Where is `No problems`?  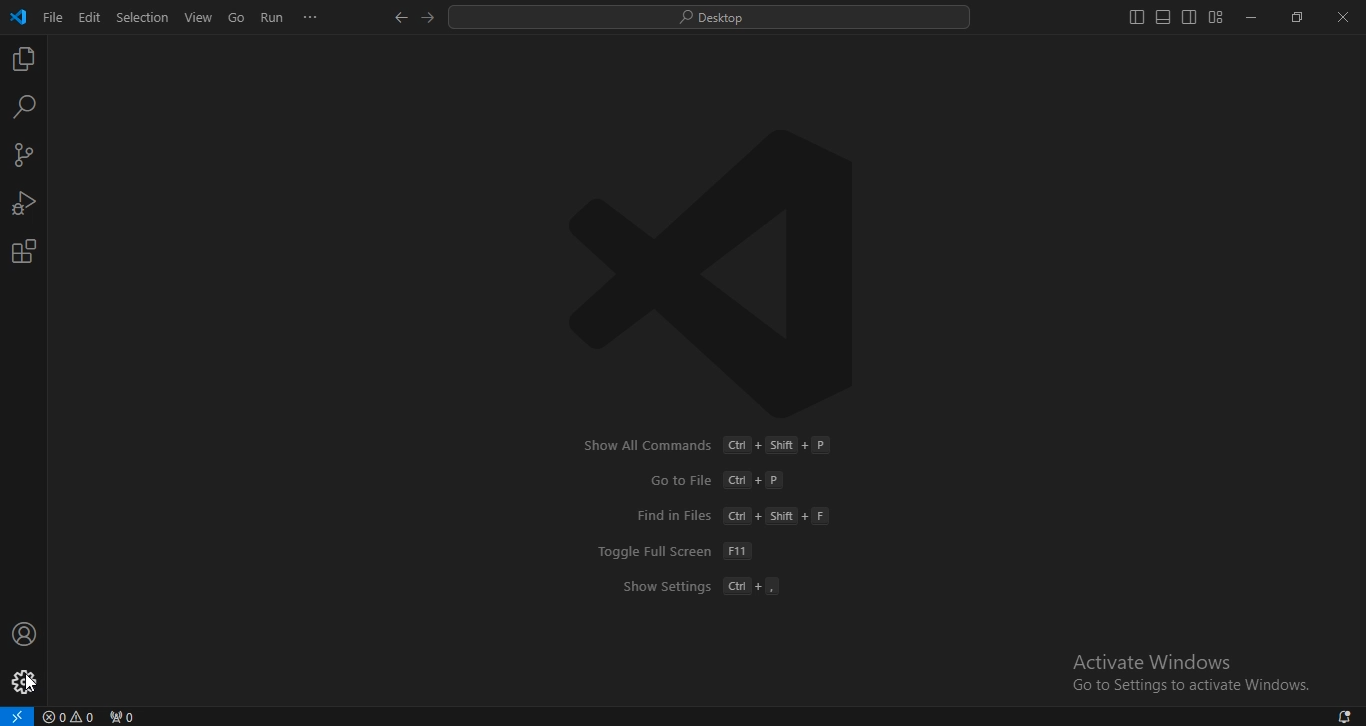
No problems is located at coordinates (71, 716).